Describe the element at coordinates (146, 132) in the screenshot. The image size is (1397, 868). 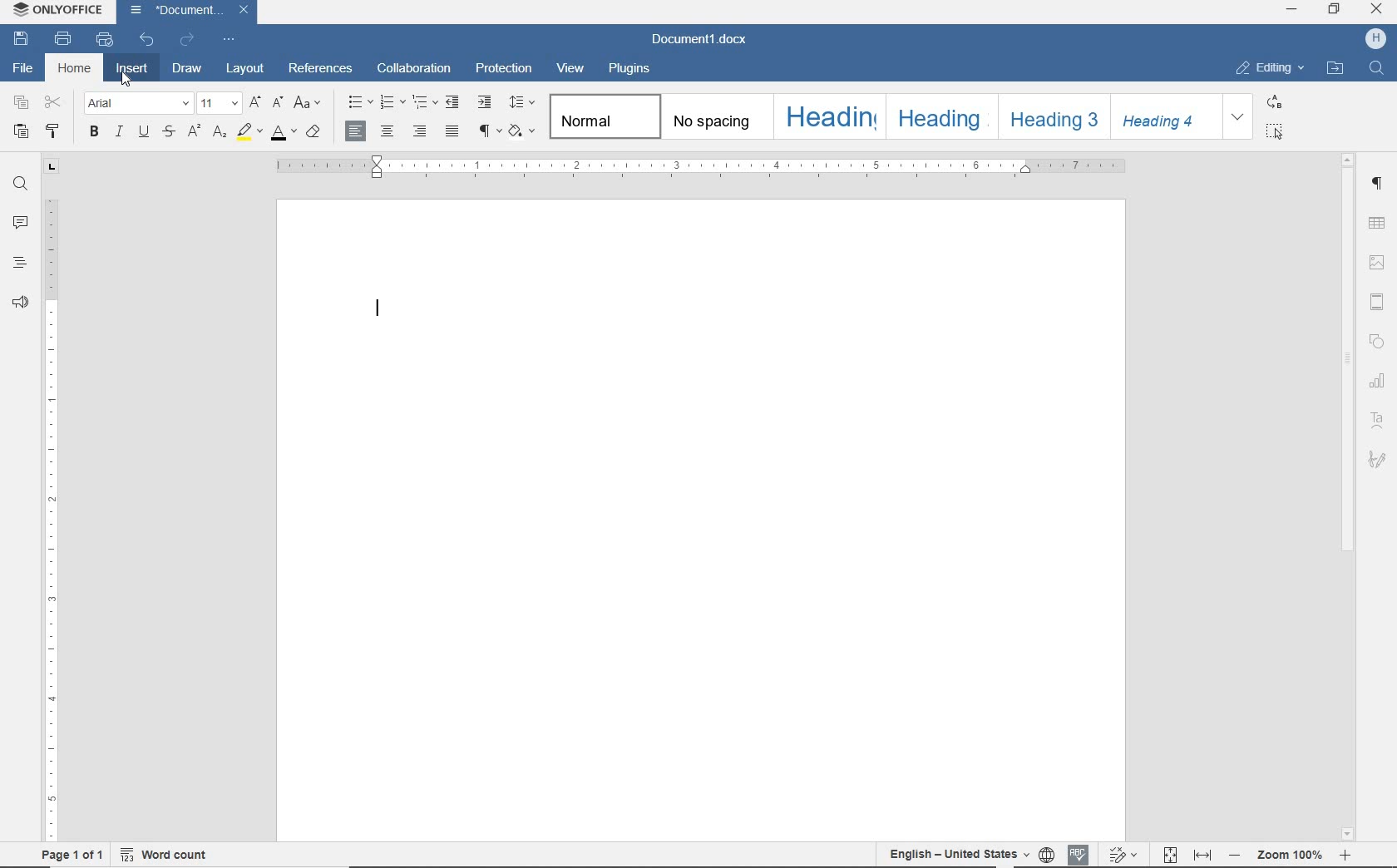
I see `underline` at that location.